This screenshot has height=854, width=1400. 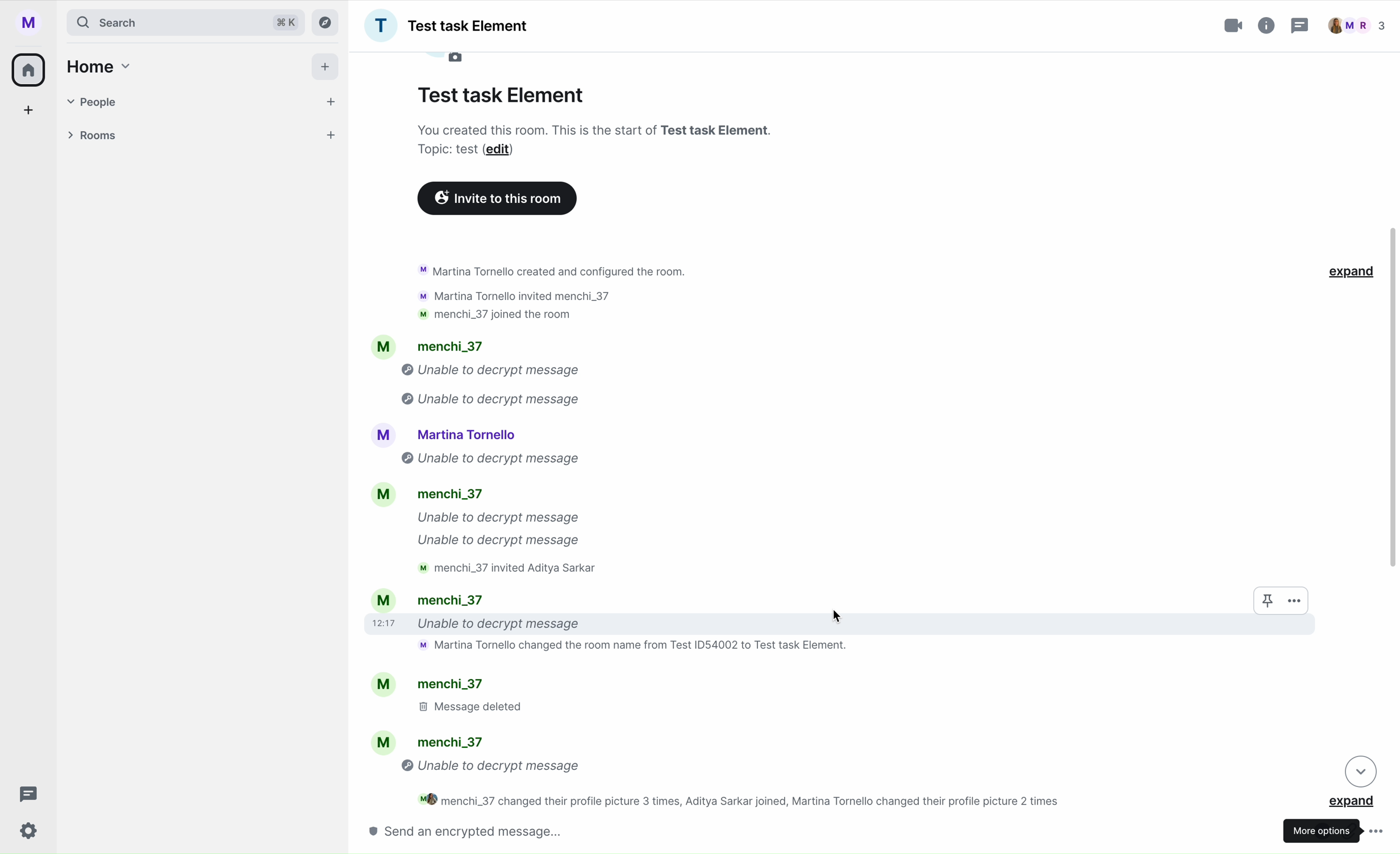 What do you see at coordinates (33, 23) in the screenshot?
I see `profile picture` at bounding box center [33, 23].